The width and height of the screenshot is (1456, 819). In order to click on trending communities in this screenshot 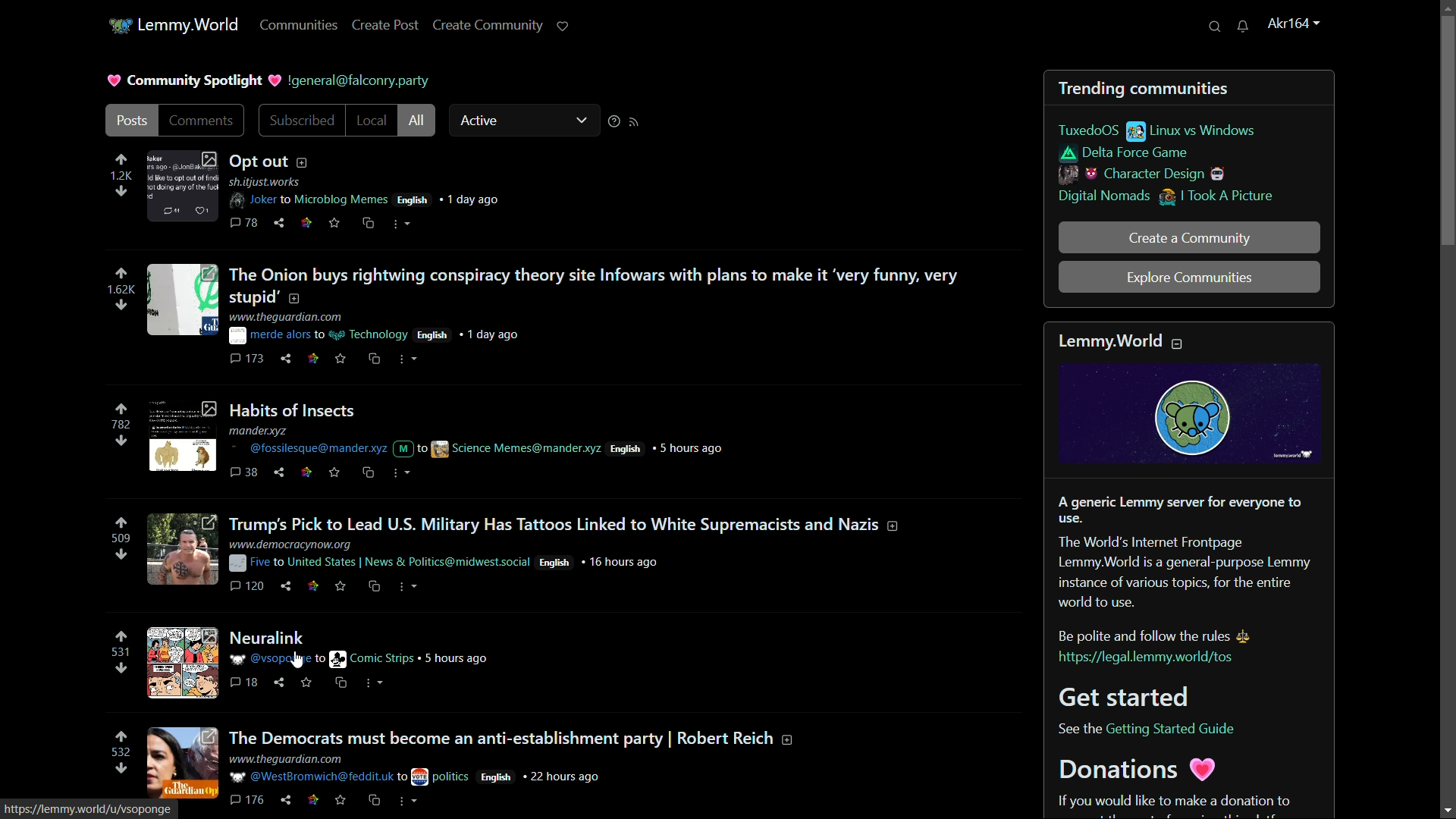, I will do `click(1141, 89)`.